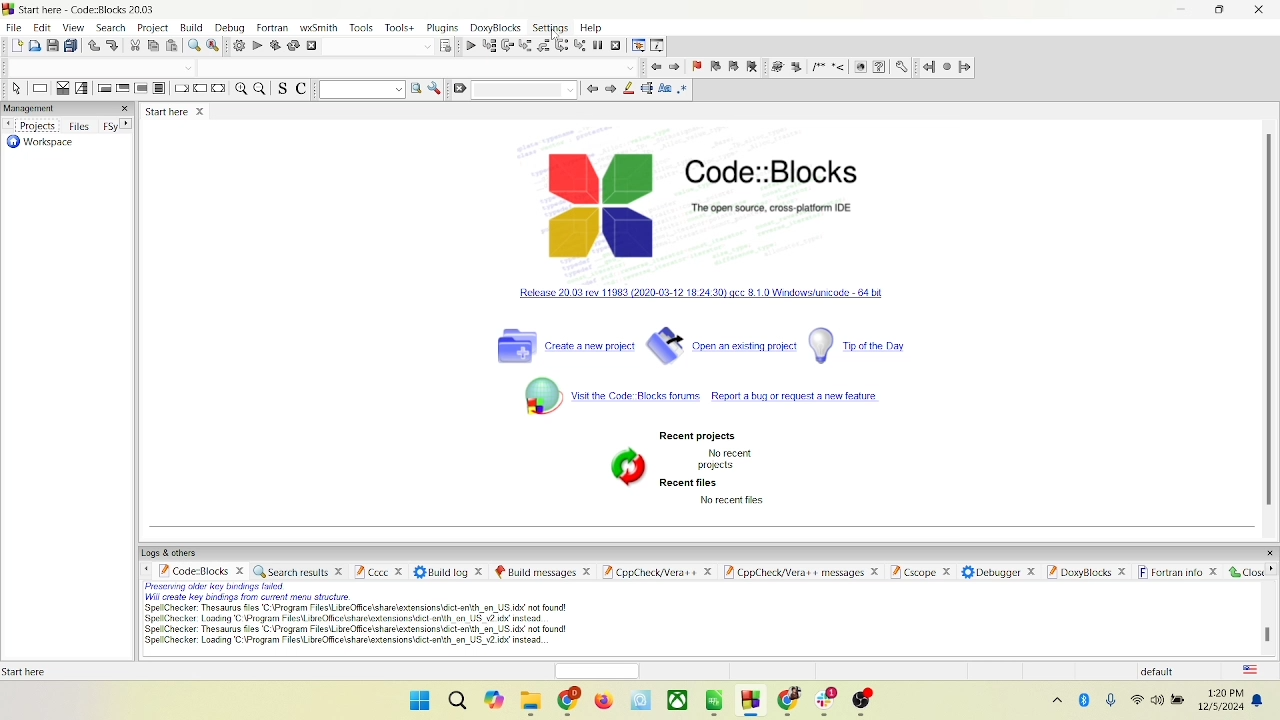 The image size is (1280, 720). What do you see at coordinates (191, 29) in the screenshot?
I see `build` at bounding box center [191, 29].